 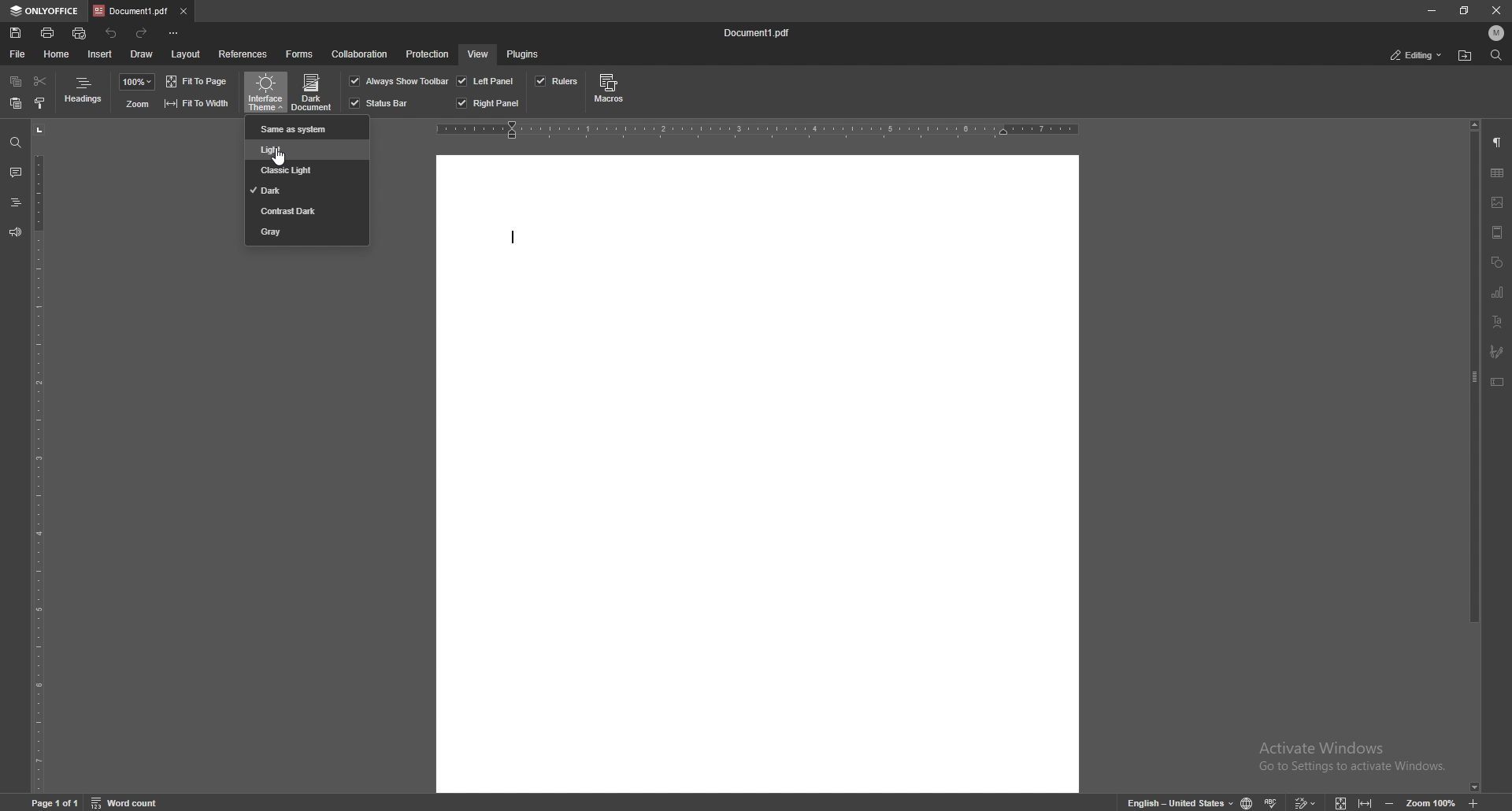 I want to click on headings, so click(x=83, y=92).